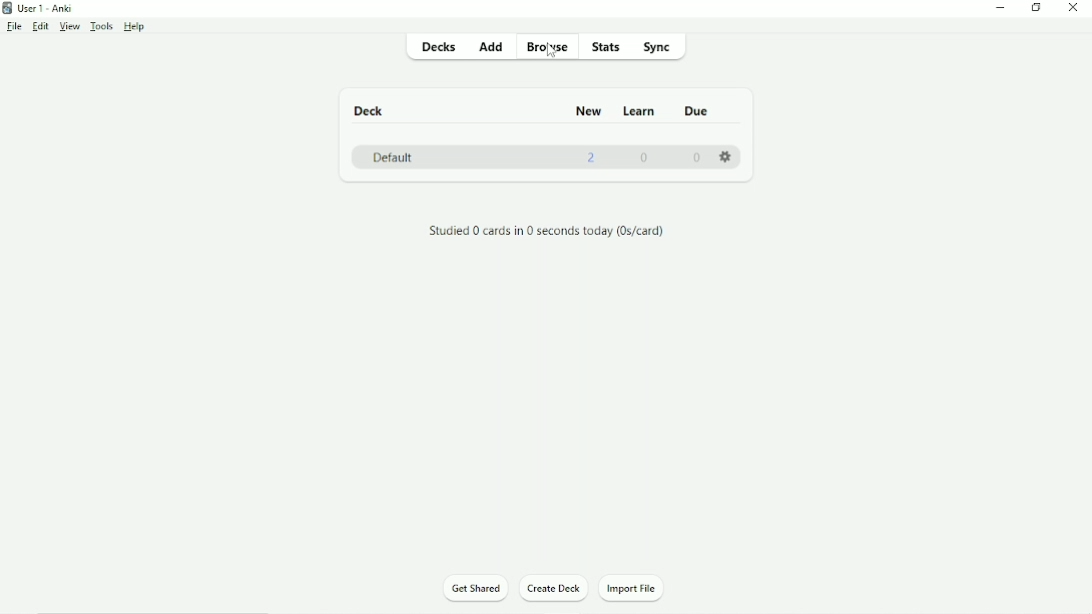  What do you see at coordinates (546, 231) in the screenshot?
I see `Studied 0 cards in 0 seconds today (0s/card)` at bounding box center [546, 231].